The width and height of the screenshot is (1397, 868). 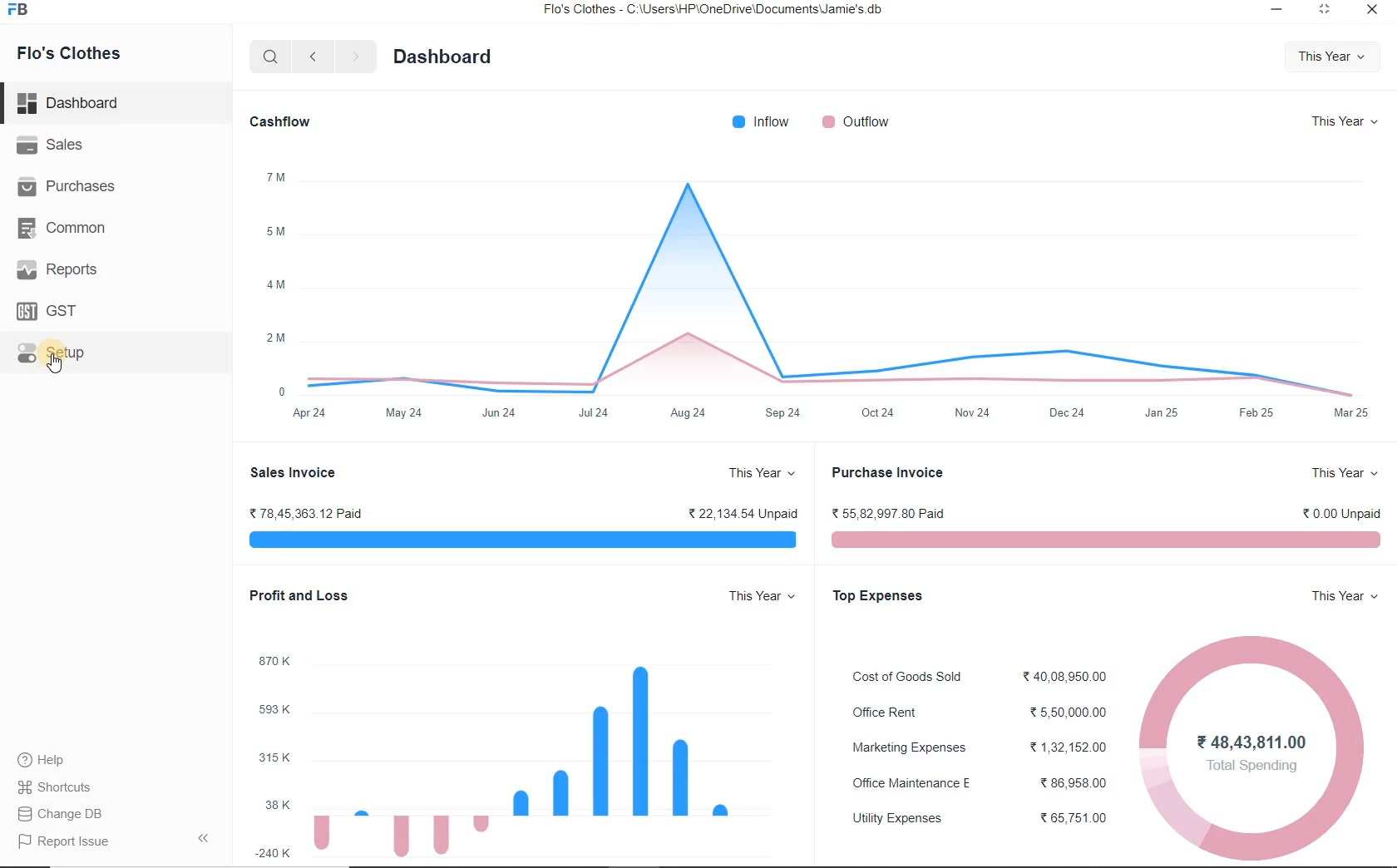 I want to click on Cost of Goods Sold, so click(x=902, y=672).